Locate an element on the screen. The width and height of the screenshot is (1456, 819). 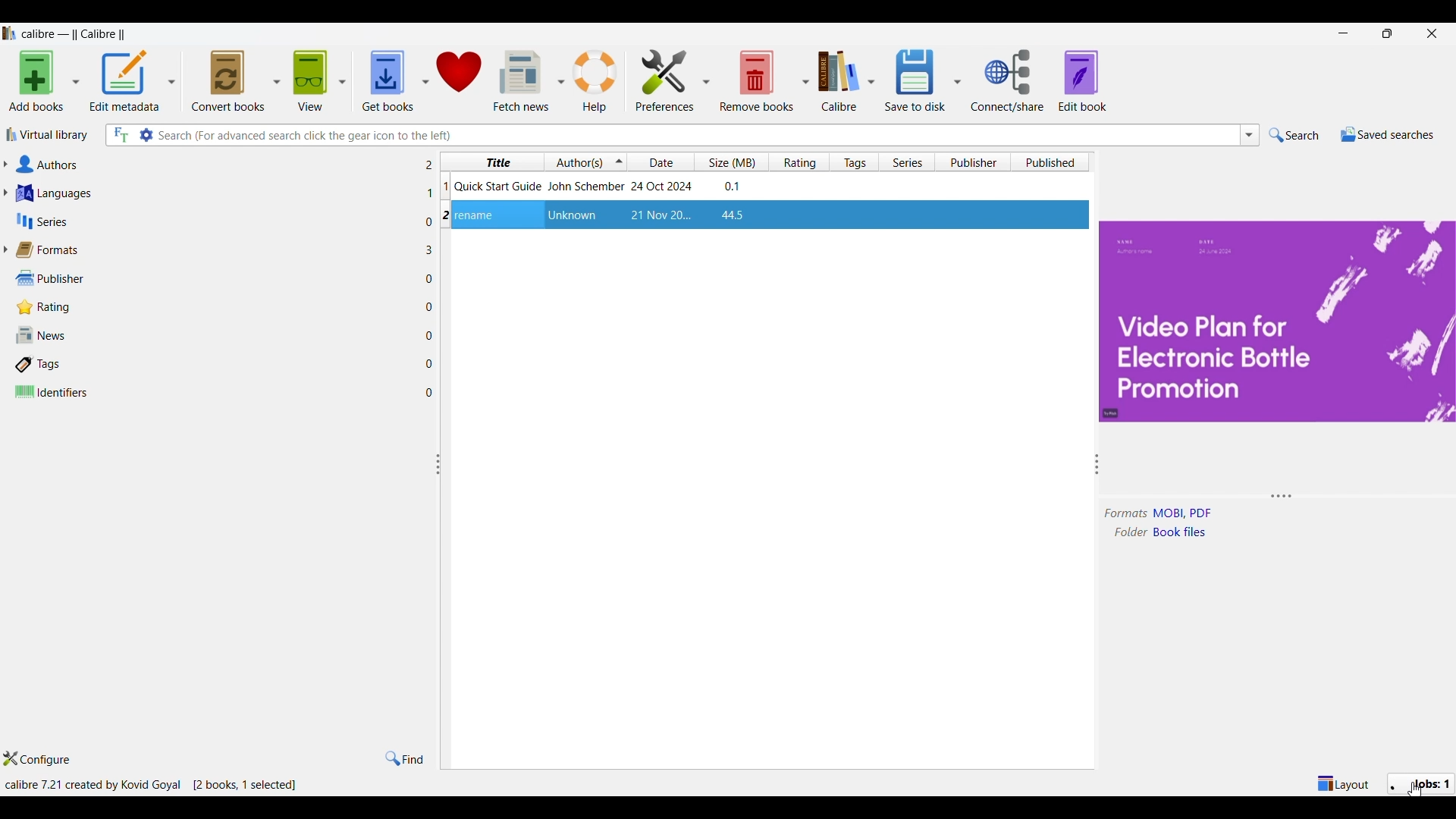
Add books is located at coordinates (36, 81).